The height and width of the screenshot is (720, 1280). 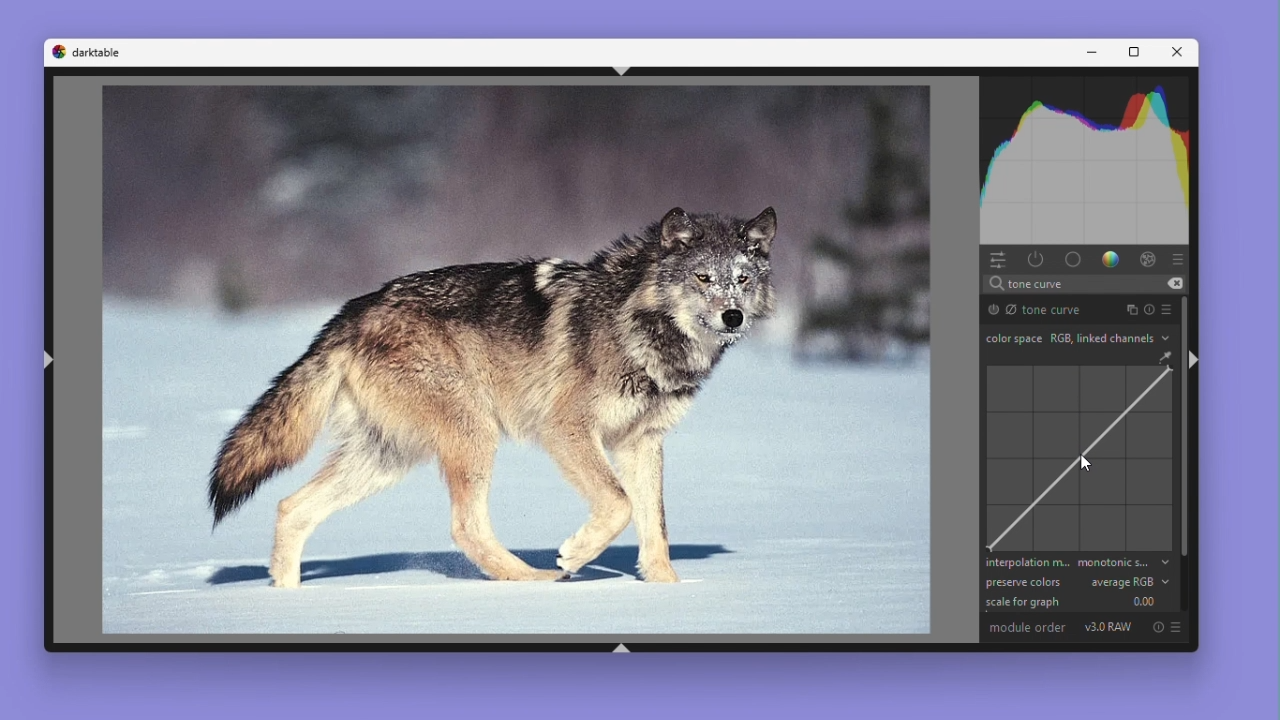 What do you see at coordinates (1088, 463) in the screenshot?
I see `Cursor` at bounding box center [1088, 463].